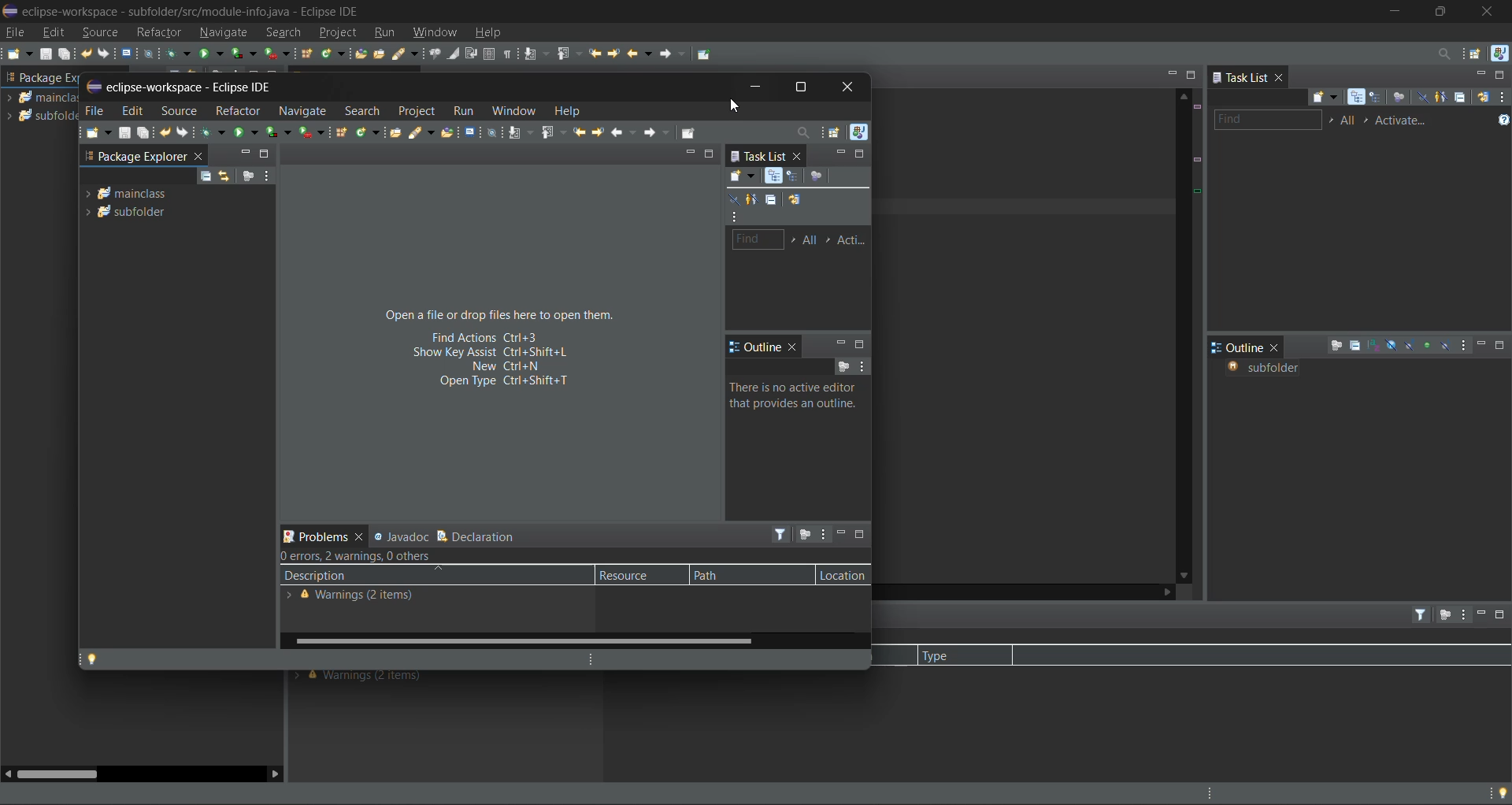 The width and height of the screenshot is (1512, 805). I want to click on collapse  all, so click(771, 199).